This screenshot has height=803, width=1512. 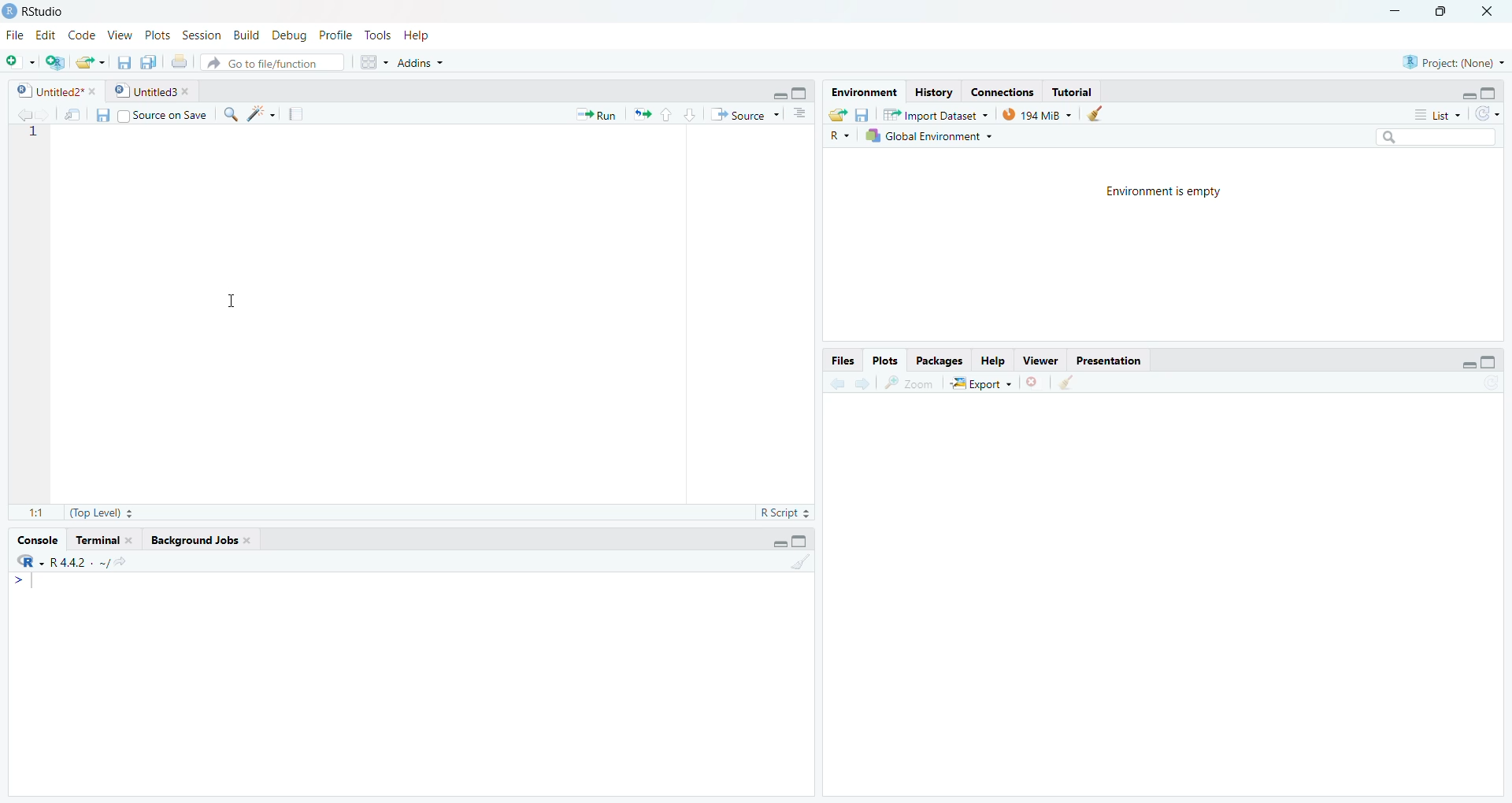 What do you see at coordinates (1165, 191) in the screenshot?
I see `Environment is empty` at bounding box center [1165, 191].